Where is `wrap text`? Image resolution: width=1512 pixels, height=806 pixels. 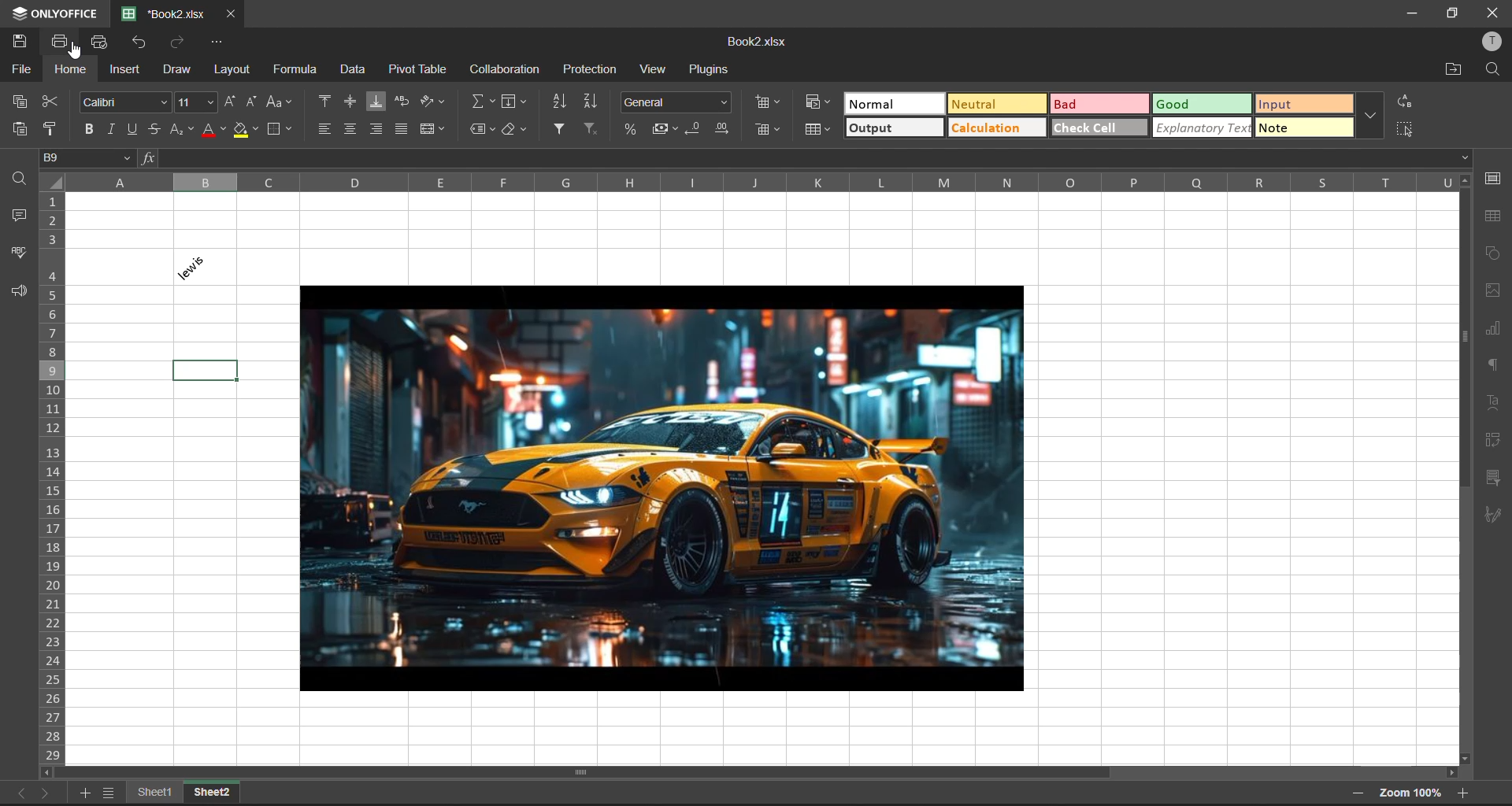 wrap text is located at coordinates (400, 103).